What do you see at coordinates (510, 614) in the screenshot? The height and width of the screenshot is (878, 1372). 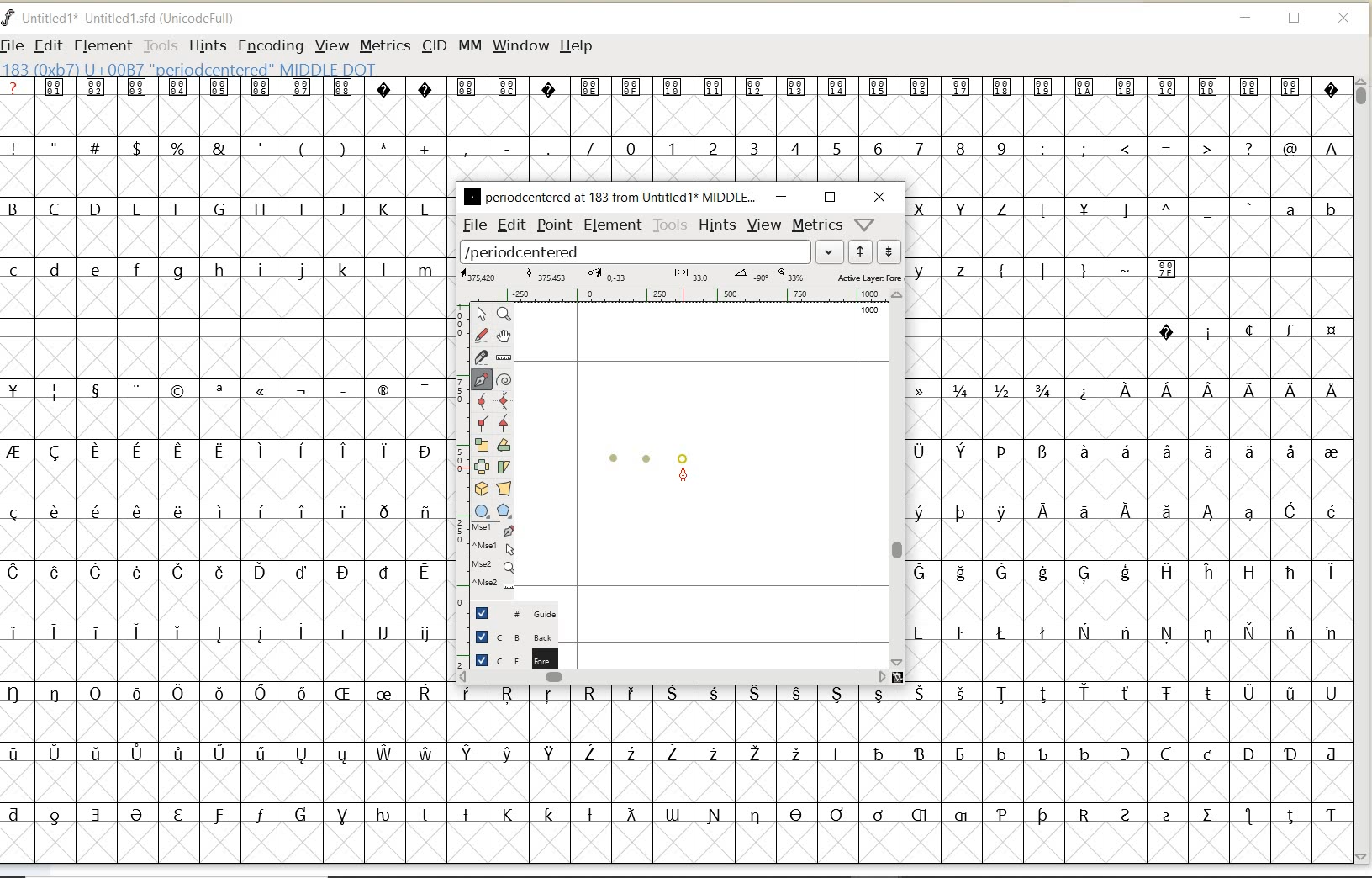 I see `guide` at bounding box center [510, 614].